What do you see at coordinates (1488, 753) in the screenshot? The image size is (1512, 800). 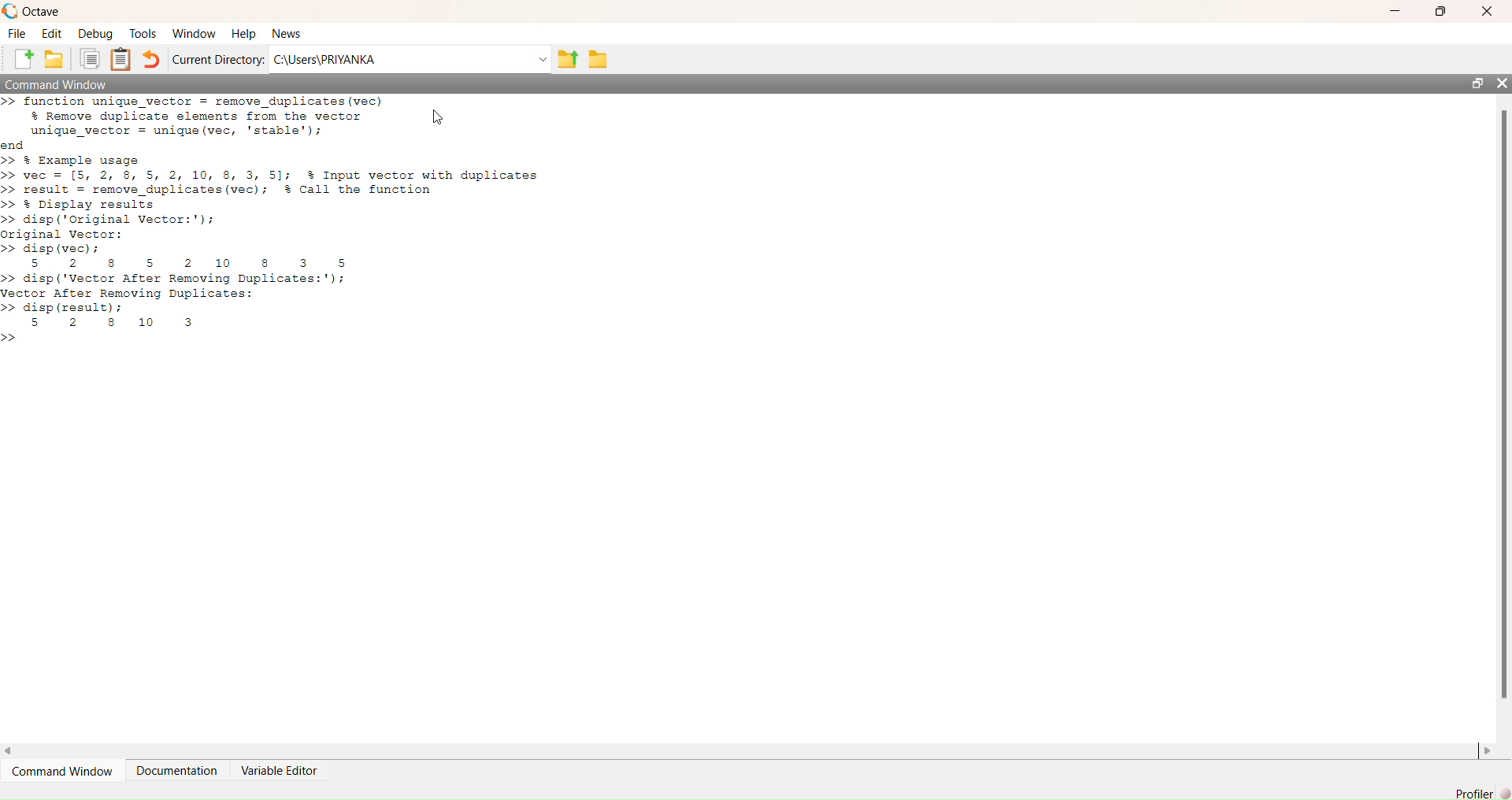 I see `scroll right` at bounding box center [1488, 753].